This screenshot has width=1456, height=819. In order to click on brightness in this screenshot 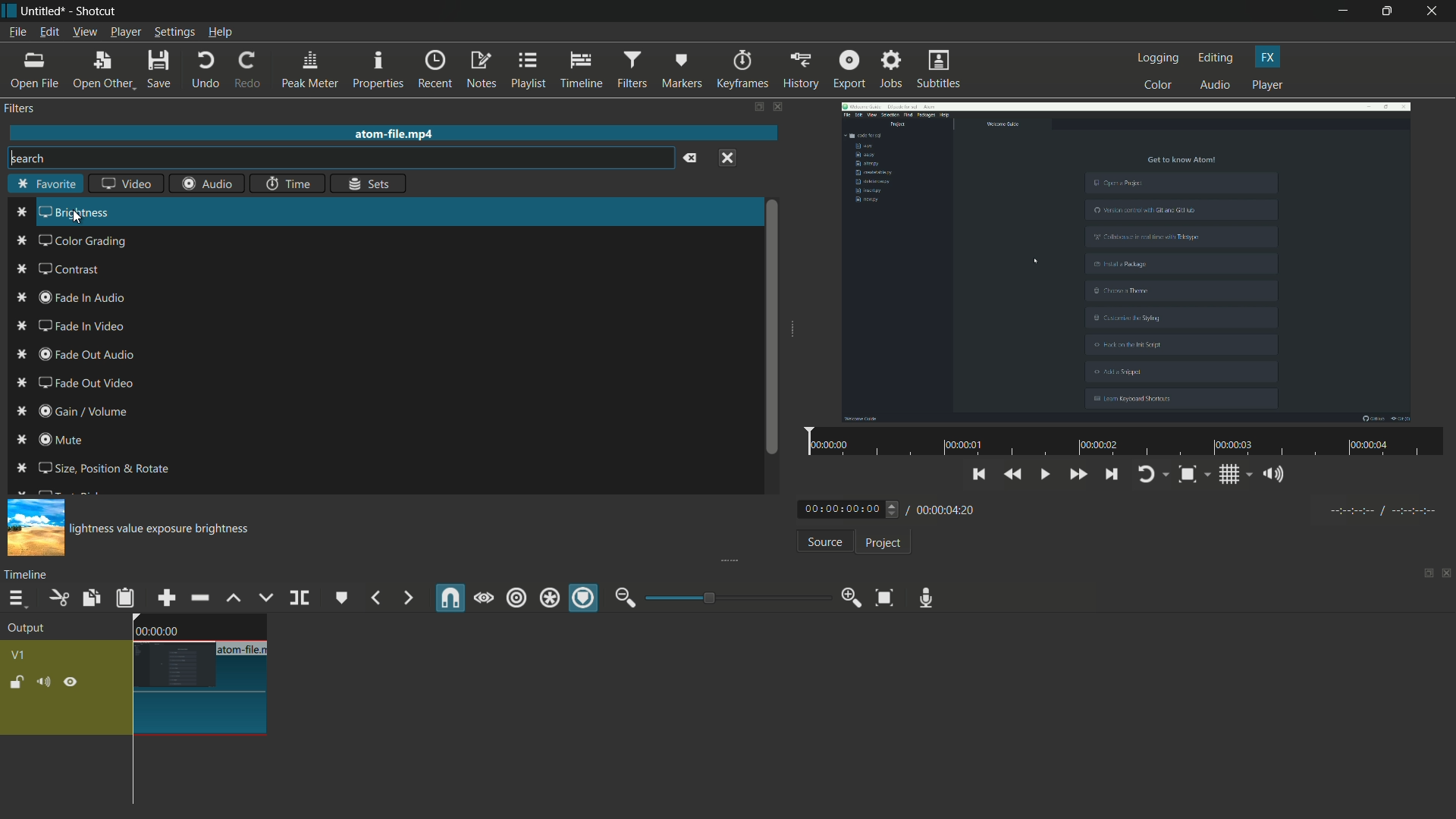, I will do `click(62, 213)`.